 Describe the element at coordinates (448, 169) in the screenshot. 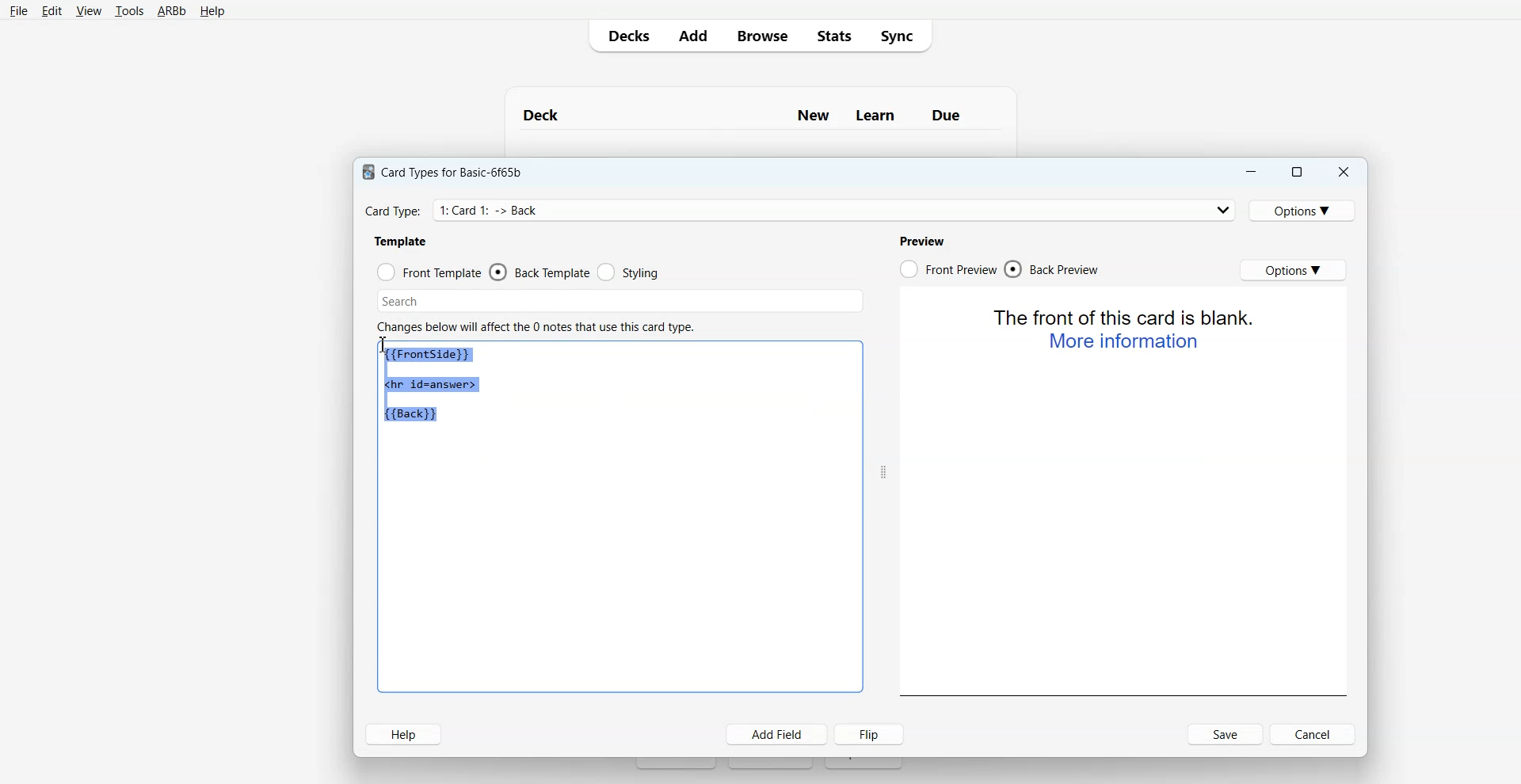

I see `Text 1` at that location.